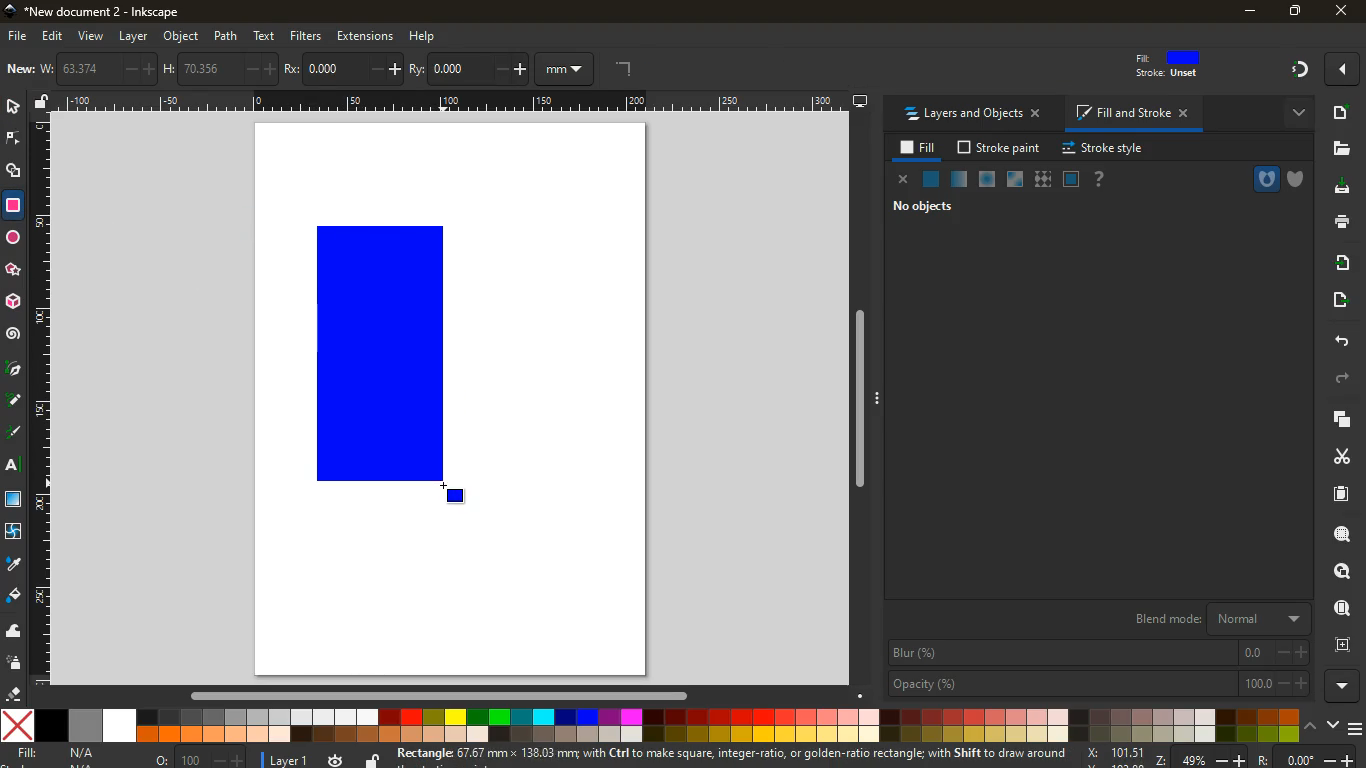 This screenshot has height=768, width=1366. What do you see at coordinates (15, 533) in the screenshot?
I see `twist` at bounding box center [15, 533].